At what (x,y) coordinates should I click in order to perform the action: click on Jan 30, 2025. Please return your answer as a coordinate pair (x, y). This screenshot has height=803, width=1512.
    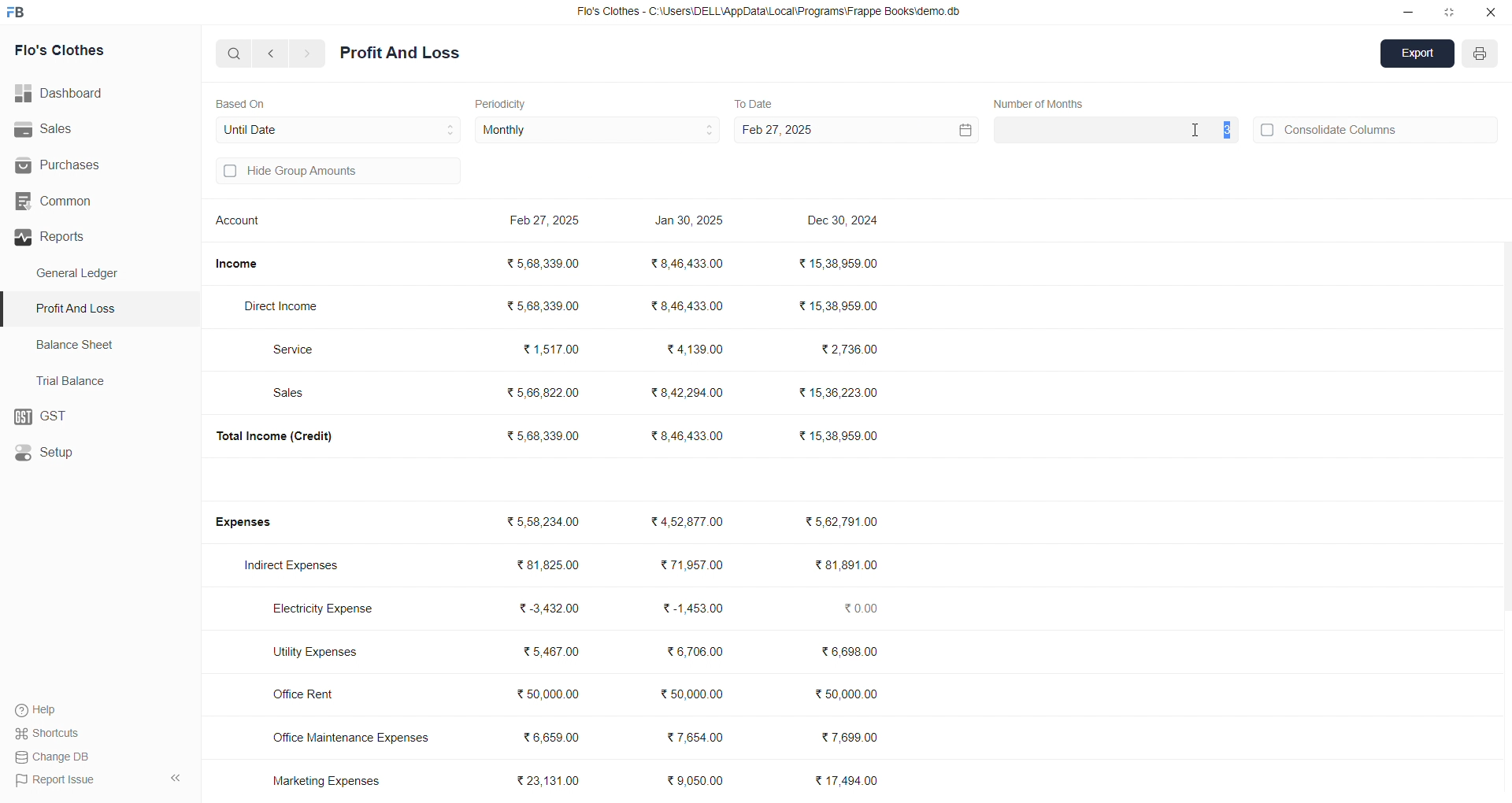
    Looking at the image, I should click on (691, 223).